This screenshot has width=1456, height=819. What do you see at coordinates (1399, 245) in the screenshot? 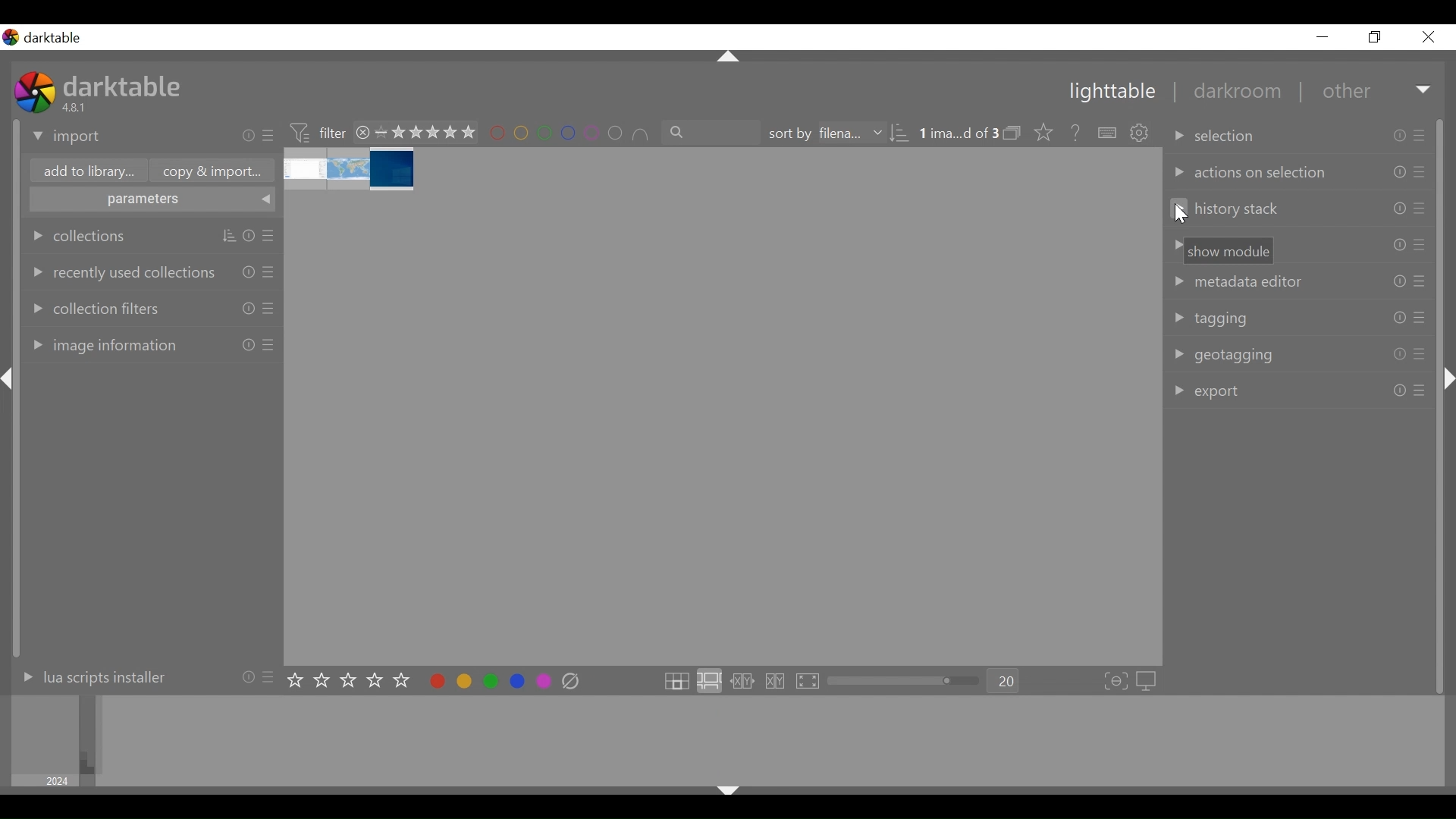
I see `info` at bounding box center [1399, 245].